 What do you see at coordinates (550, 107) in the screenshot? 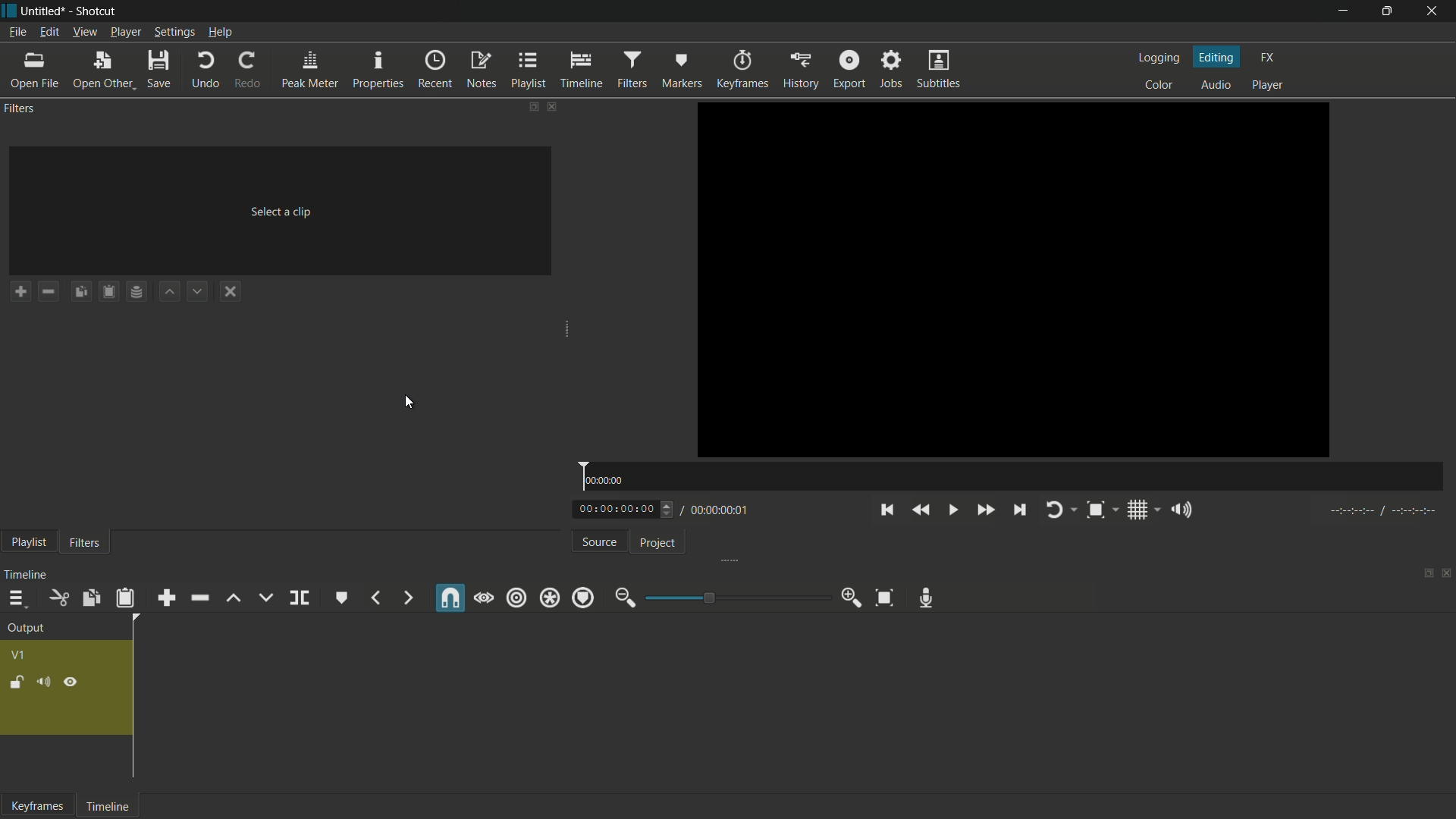
I see `close filter pane` at bounding box center [550, 107].